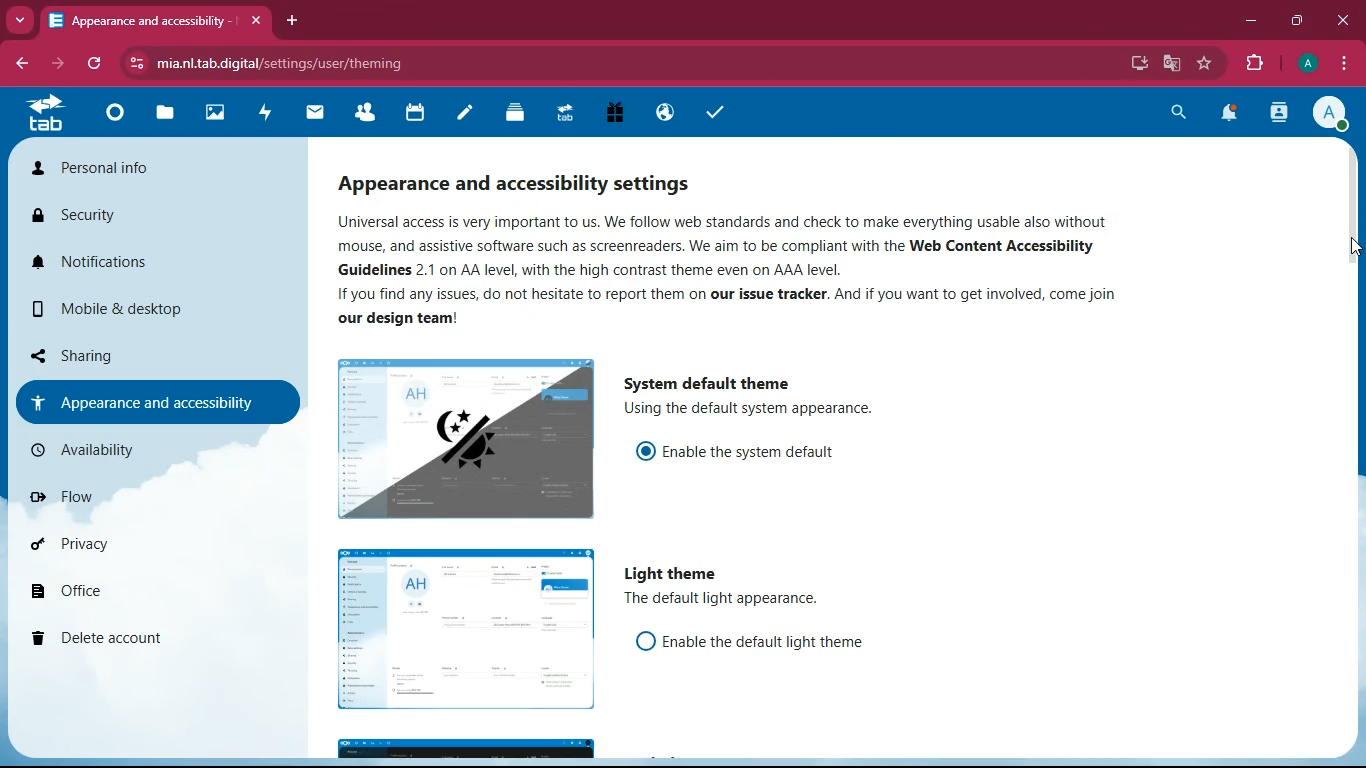 The image size is (1366, 768). I want to click on appearance, so click(148, 402).